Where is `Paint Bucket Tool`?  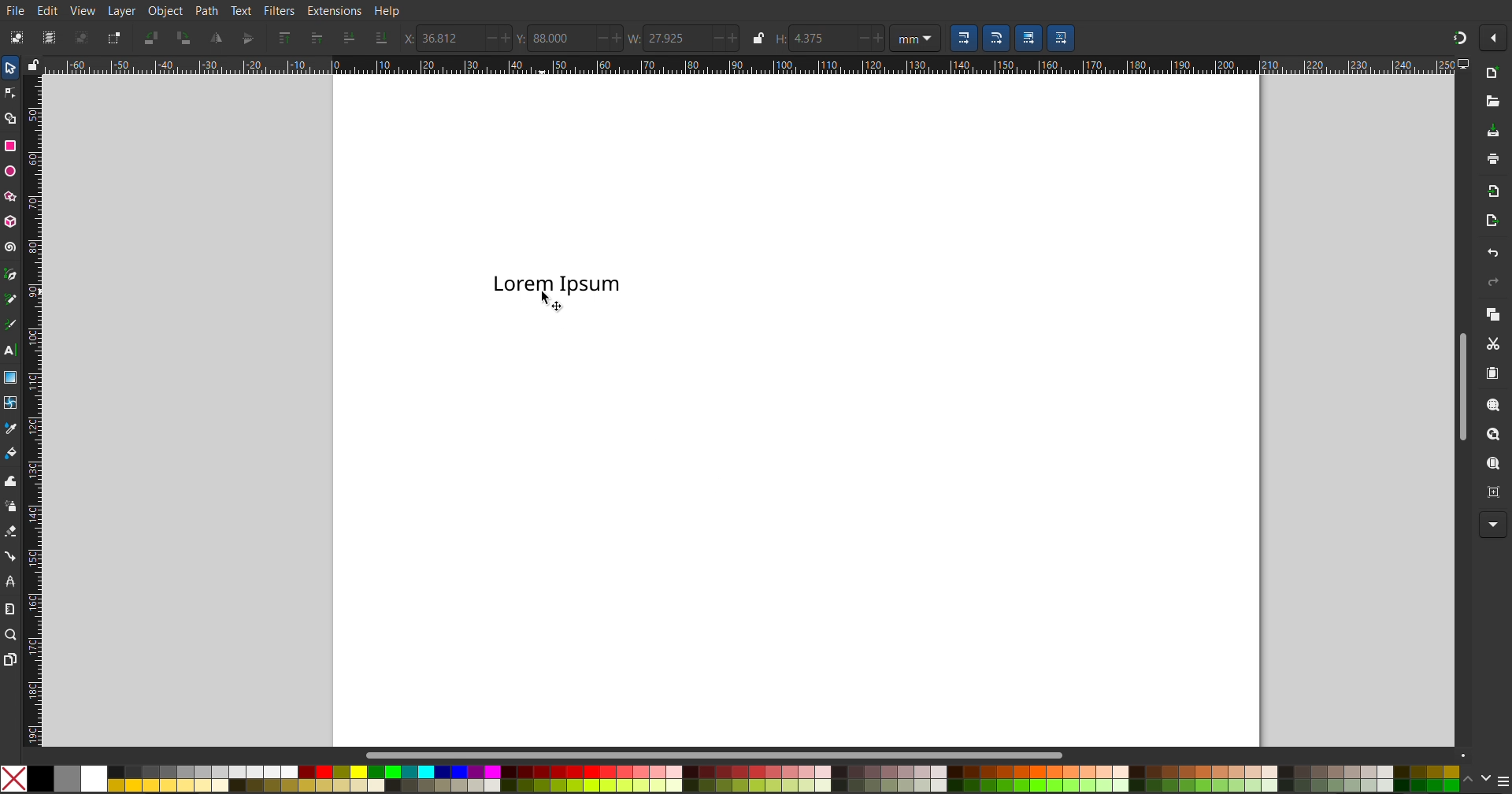
Paint Bucket Tool is located at coordinates (13, 450).